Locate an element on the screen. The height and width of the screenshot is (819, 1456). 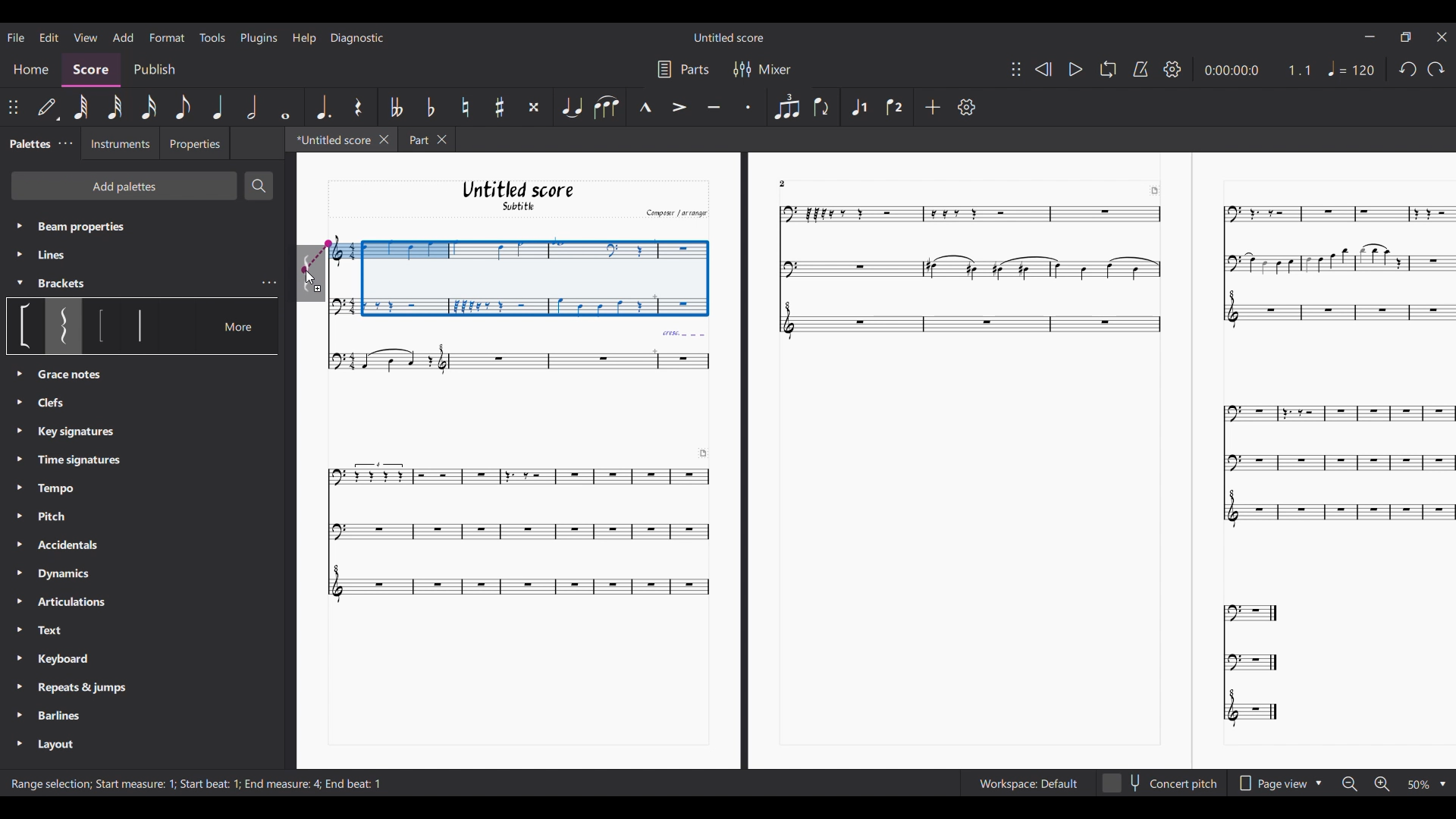
Home  is located at coordinates (31, 71).